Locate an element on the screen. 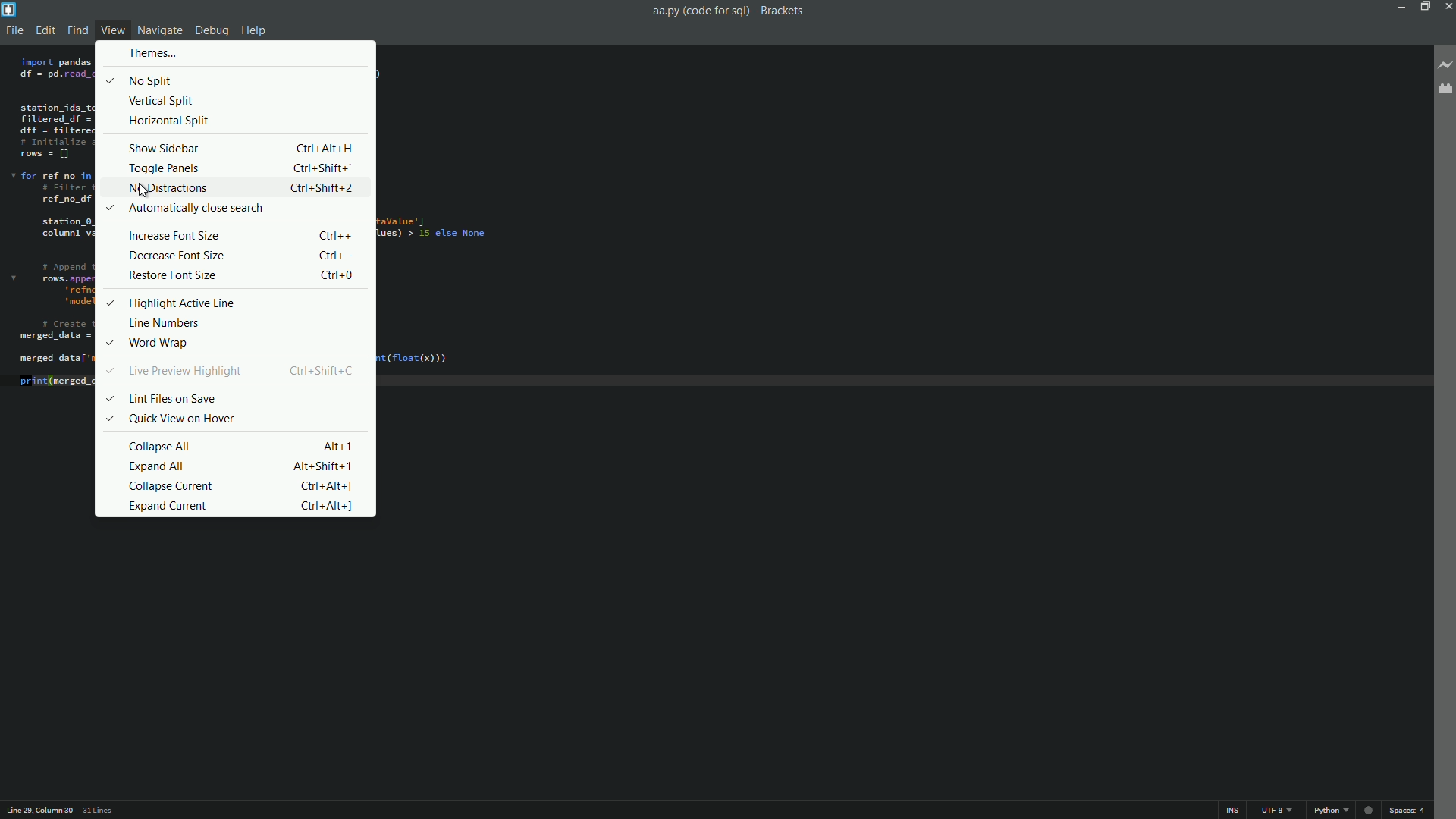  change file format is located at coordinates (1331, 811).